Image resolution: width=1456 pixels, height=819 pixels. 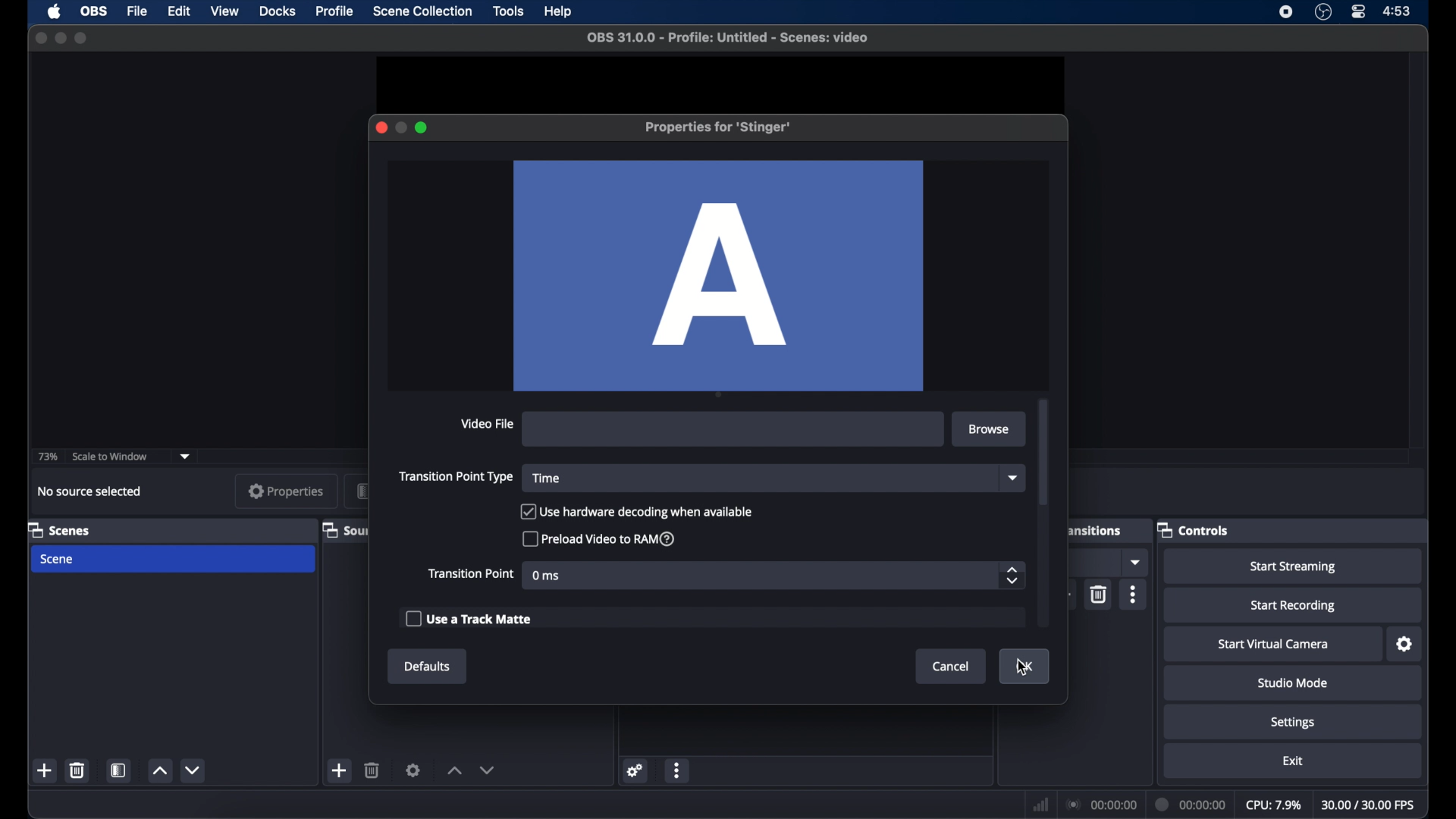 I want to click on add, so click(x=45, y=771).